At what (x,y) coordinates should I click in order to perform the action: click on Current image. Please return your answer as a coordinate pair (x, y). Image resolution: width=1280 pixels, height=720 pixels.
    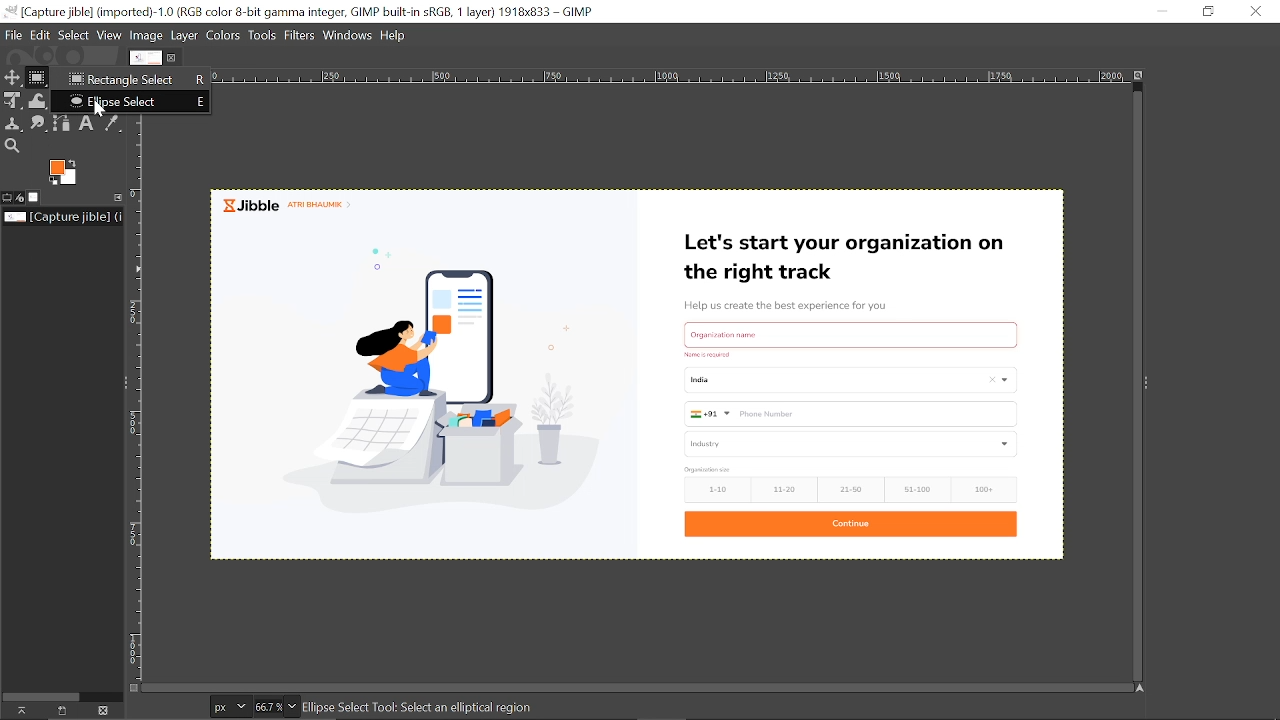
    Looking at the image, I should click on (637, 375).